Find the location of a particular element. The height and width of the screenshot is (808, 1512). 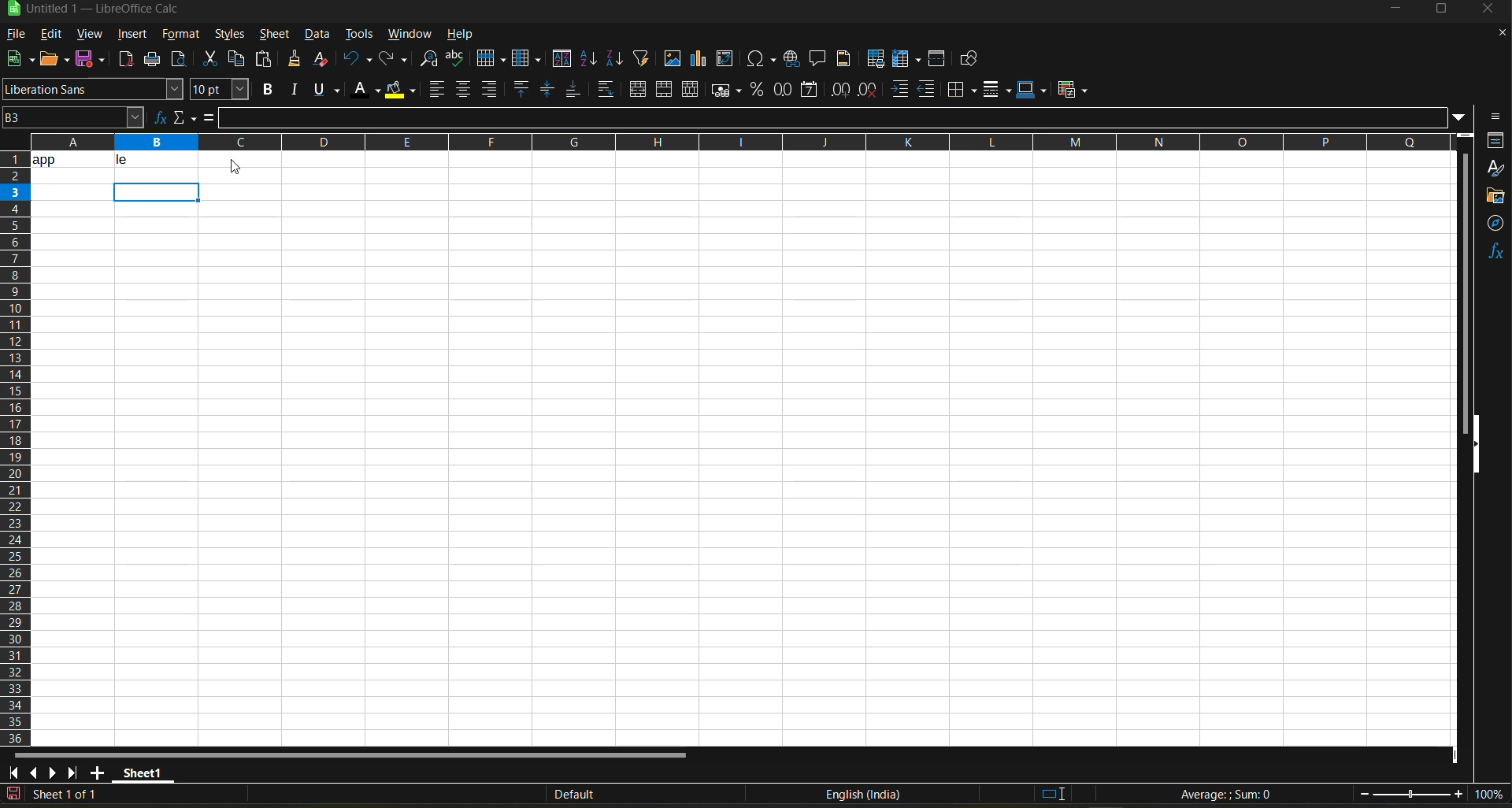

close document is located at coordinates (1496, 37).